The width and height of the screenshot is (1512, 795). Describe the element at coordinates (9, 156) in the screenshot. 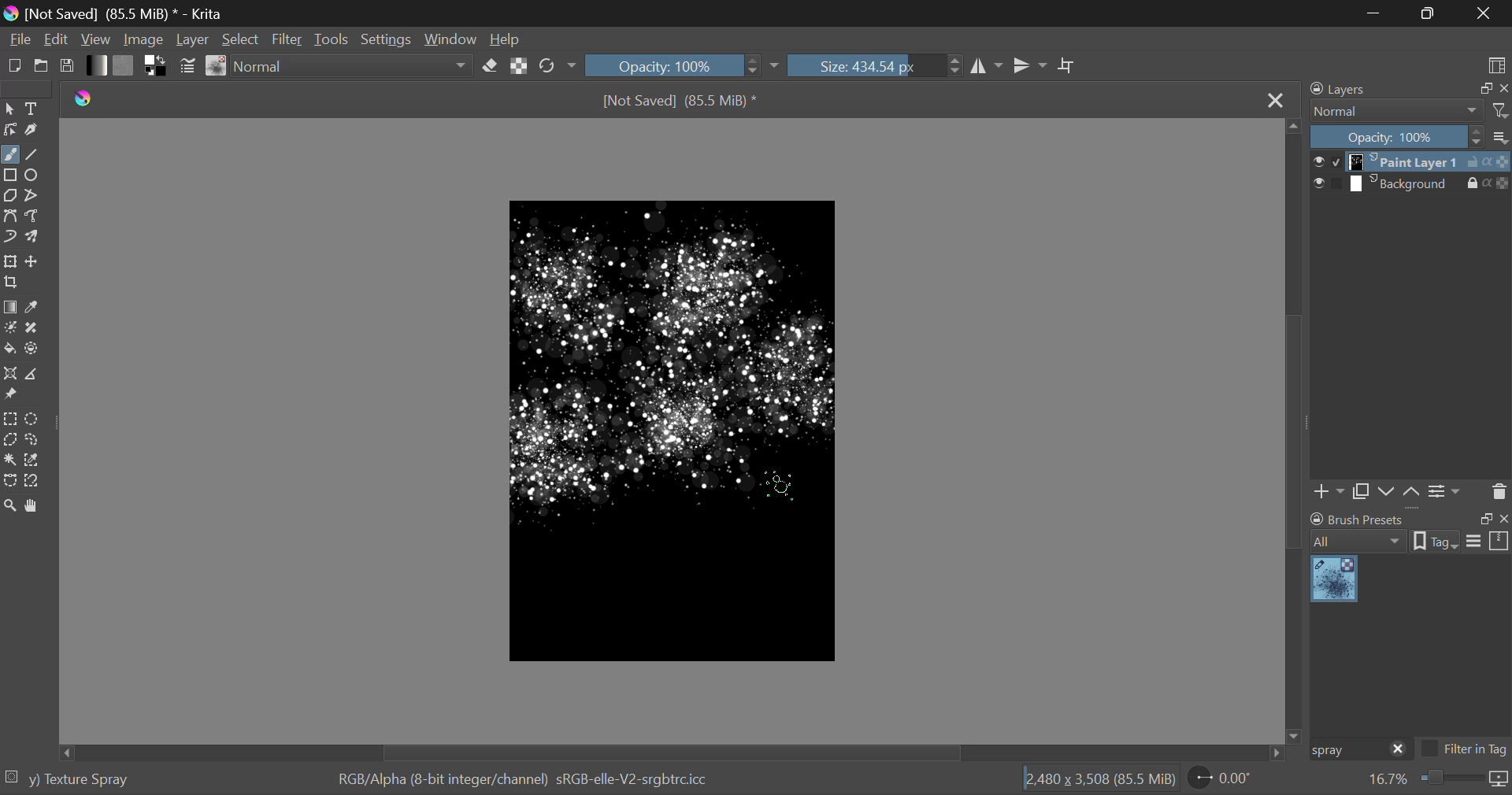

I see `Freehand Paintbrush selected` at that location.